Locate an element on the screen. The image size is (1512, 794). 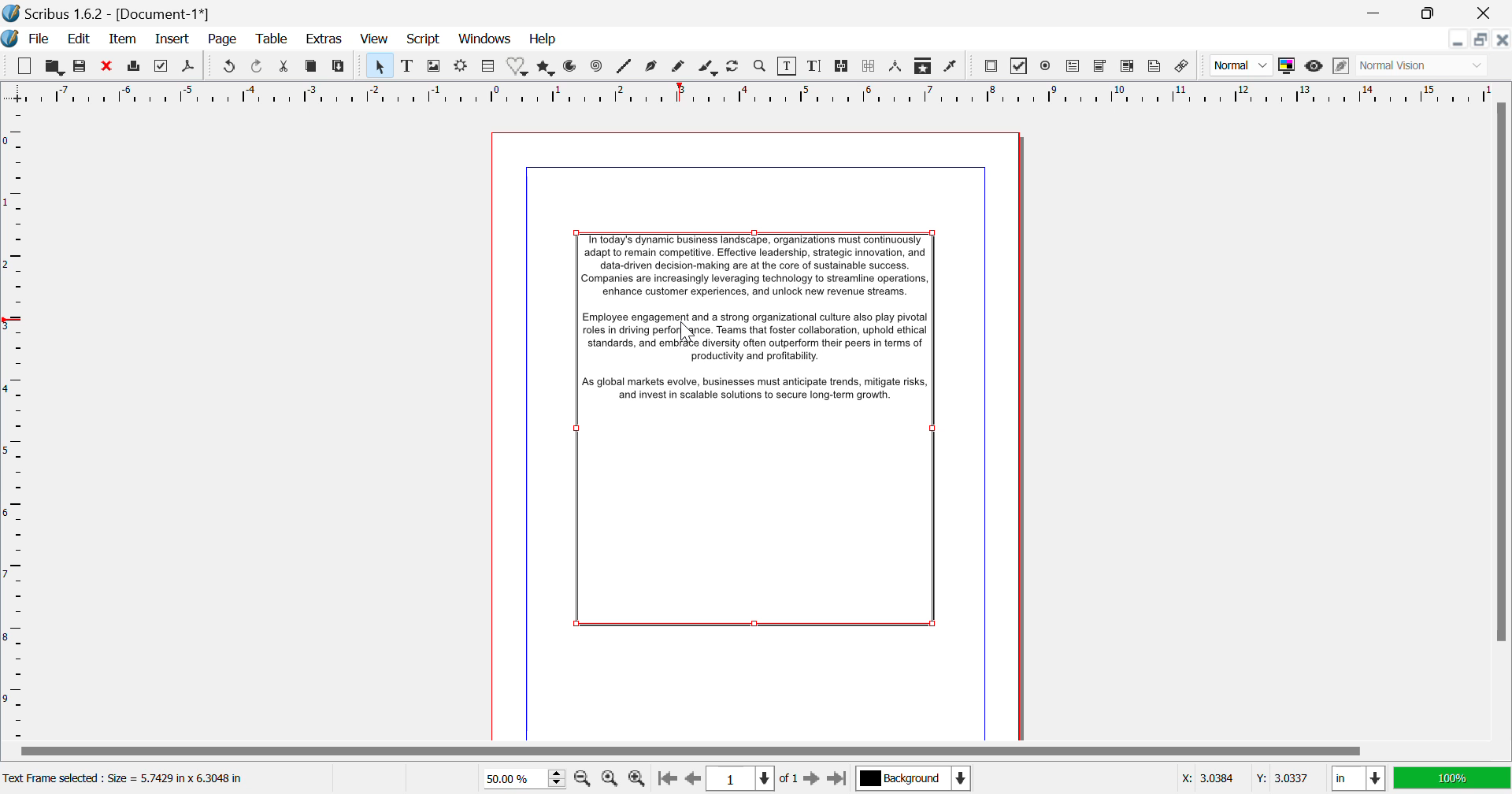
Discard is located at coordinates (108, 66).